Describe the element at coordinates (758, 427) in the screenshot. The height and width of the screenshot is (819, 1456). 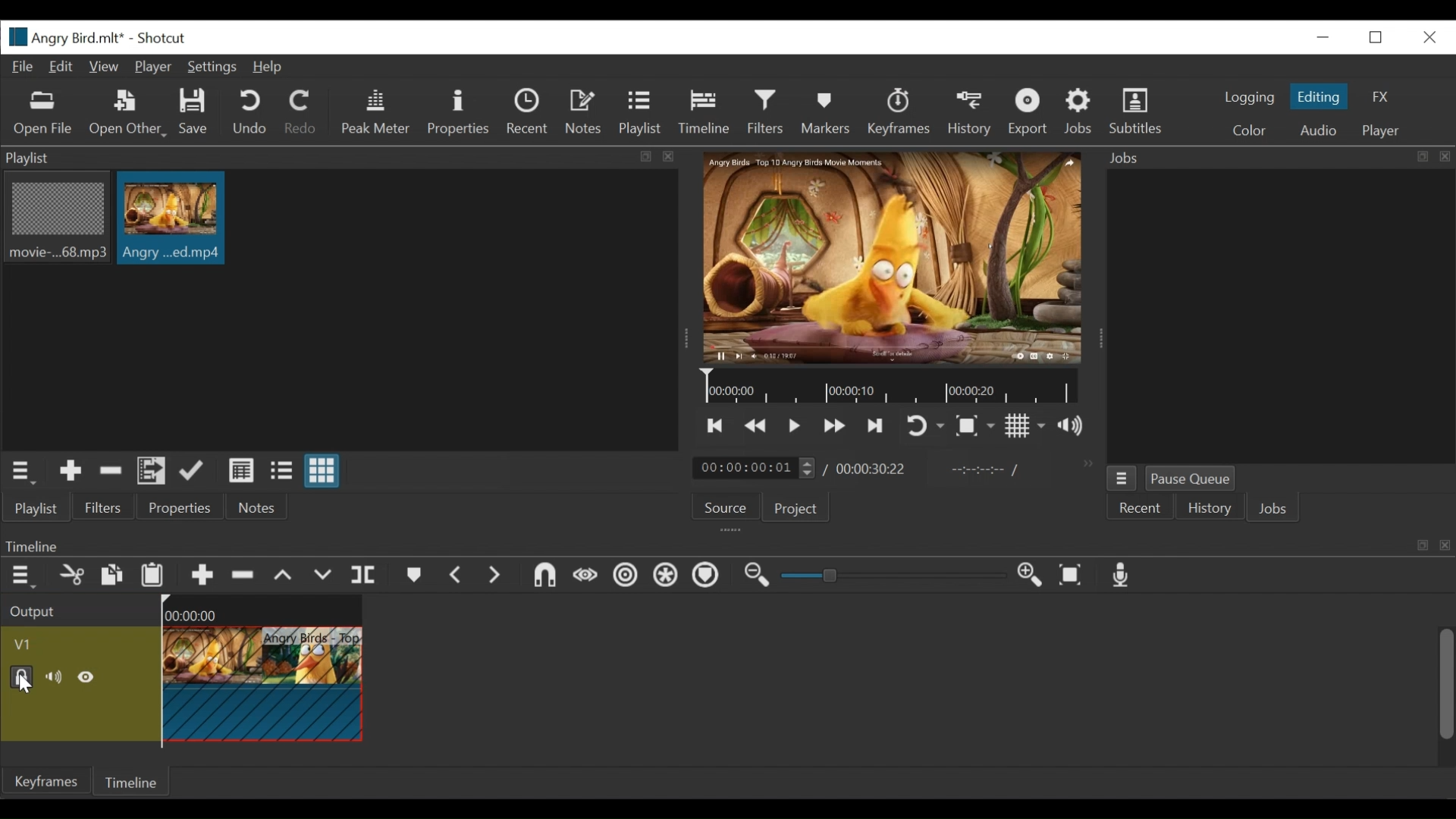
I see `Play quickly backward` at that location.